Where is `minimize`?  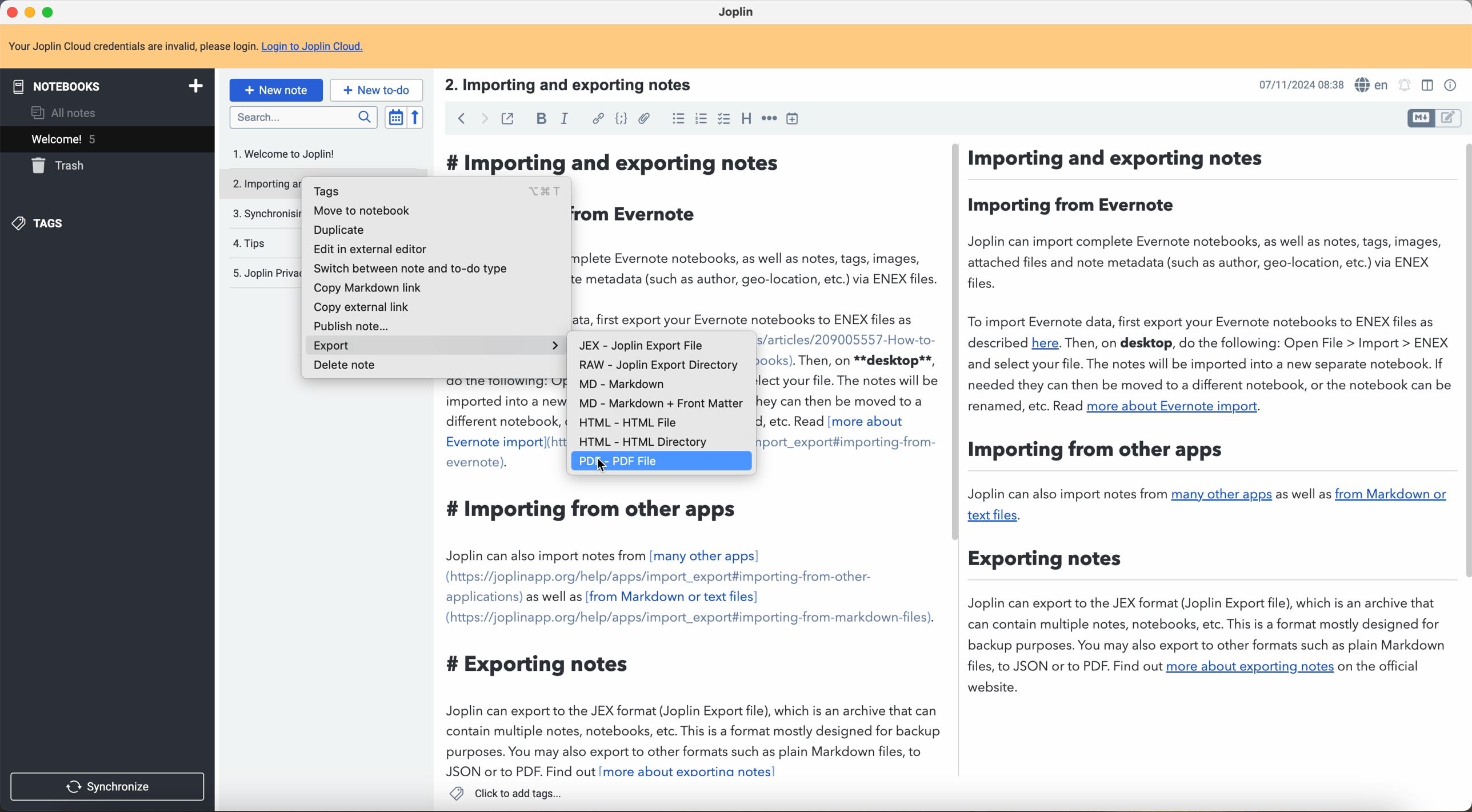
minimize is located at coordinates (32, 11).